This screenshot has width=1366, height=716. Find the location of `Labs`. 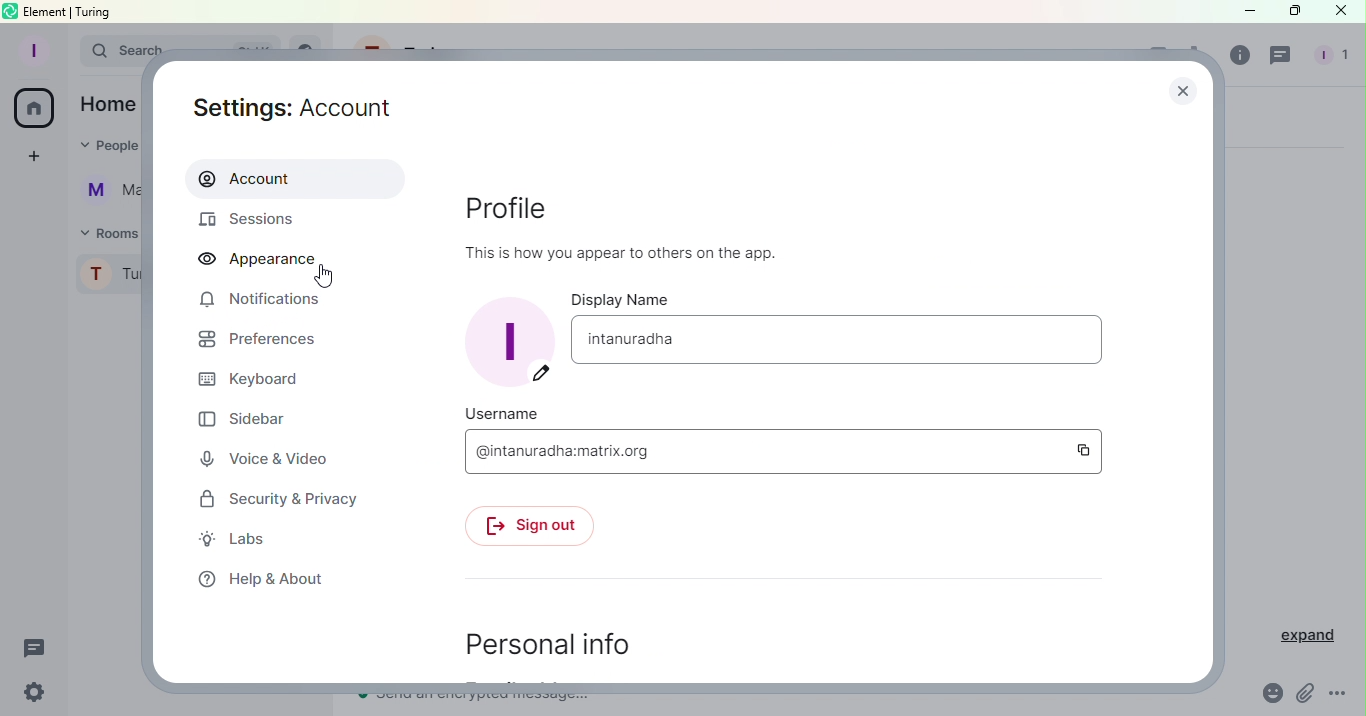

Labs is located at coordinates (236, 539).